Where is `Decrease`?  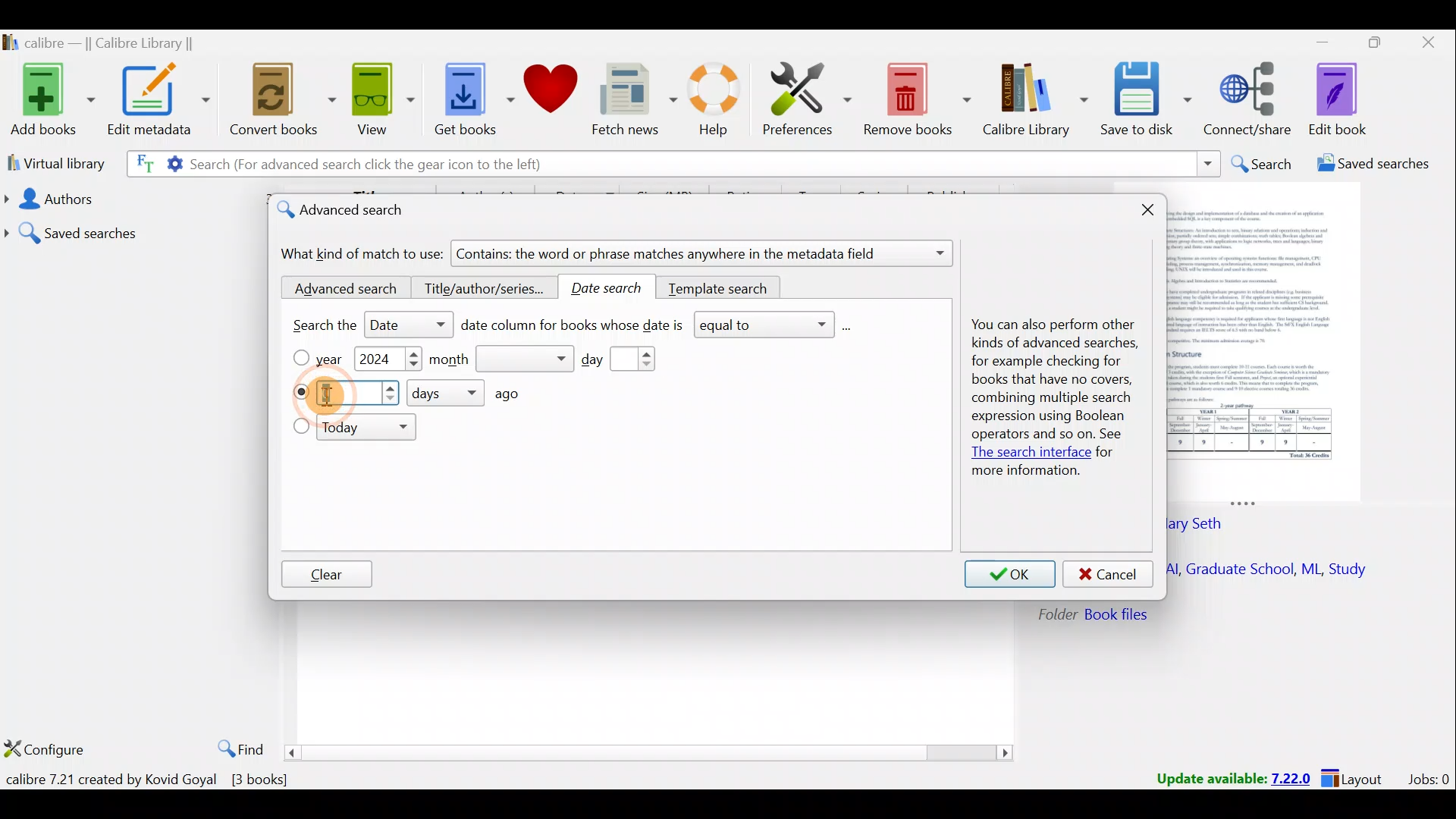
Decrease is located at coordinates (413, 367).